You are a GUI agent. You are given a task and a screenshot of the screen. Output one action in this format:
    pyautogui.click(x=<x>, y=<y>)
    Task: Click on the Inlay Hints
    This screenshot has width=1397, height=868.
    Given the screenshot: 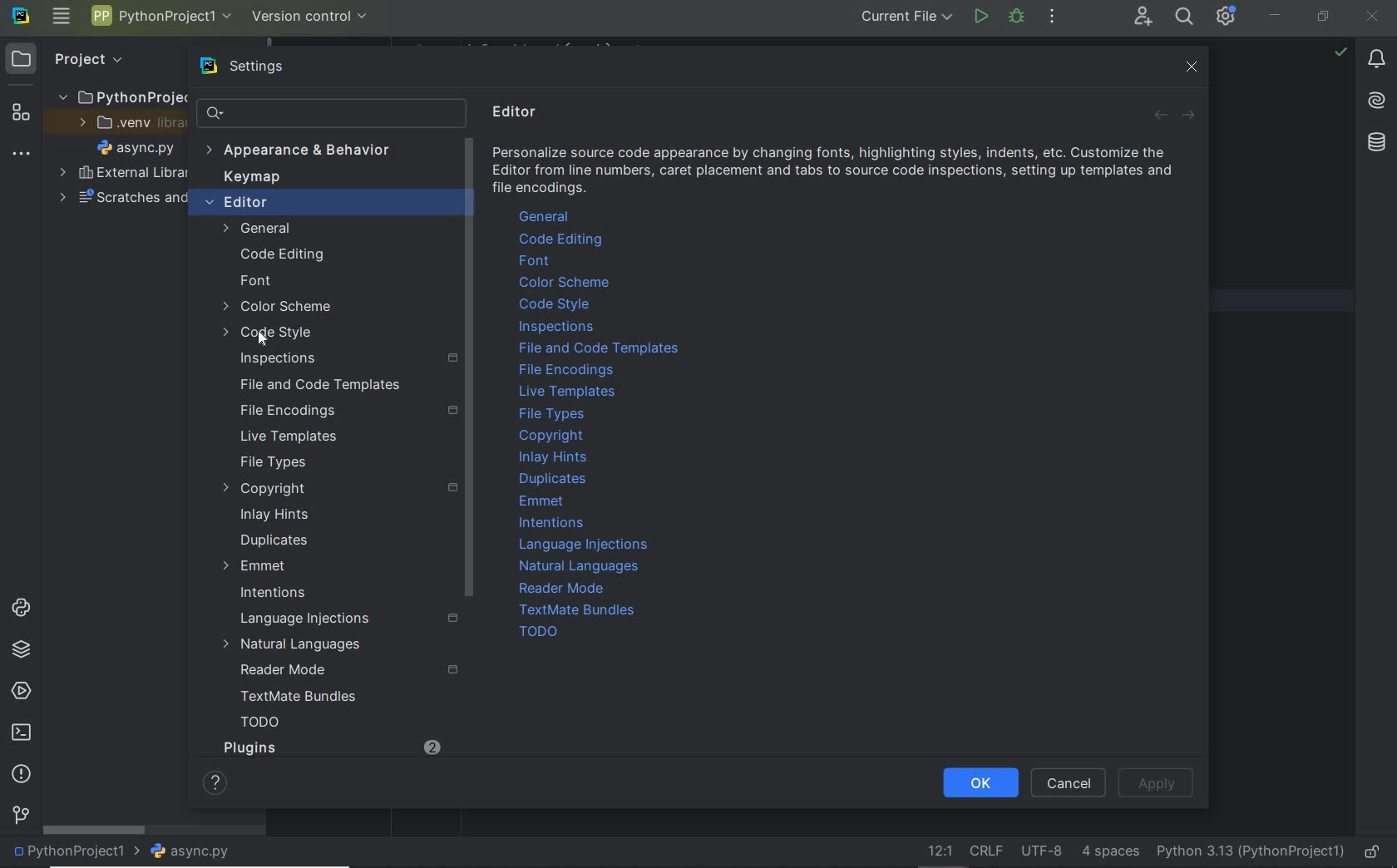 What is the action you would take?
    pyautogui.click(x=554, y=456)
    